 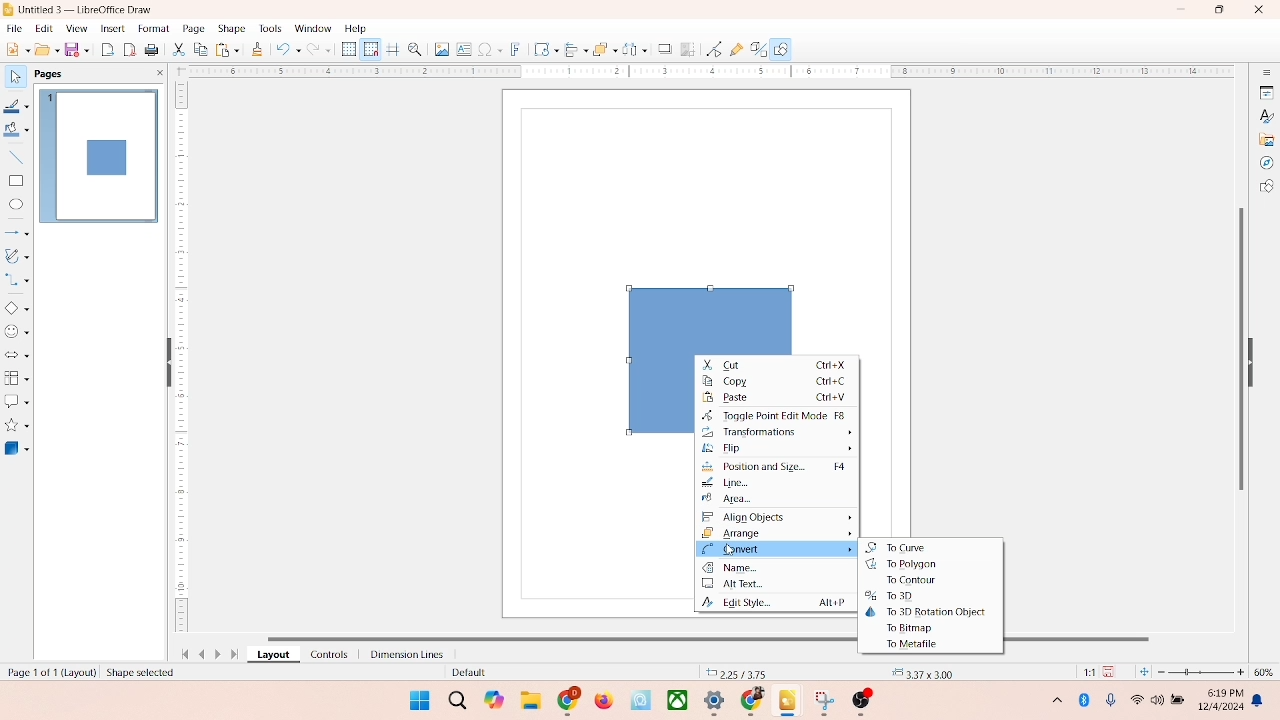 What do you see at coordinates (572, 47) in the screenshot?
I see `allign` at bounding box center [572, 47].